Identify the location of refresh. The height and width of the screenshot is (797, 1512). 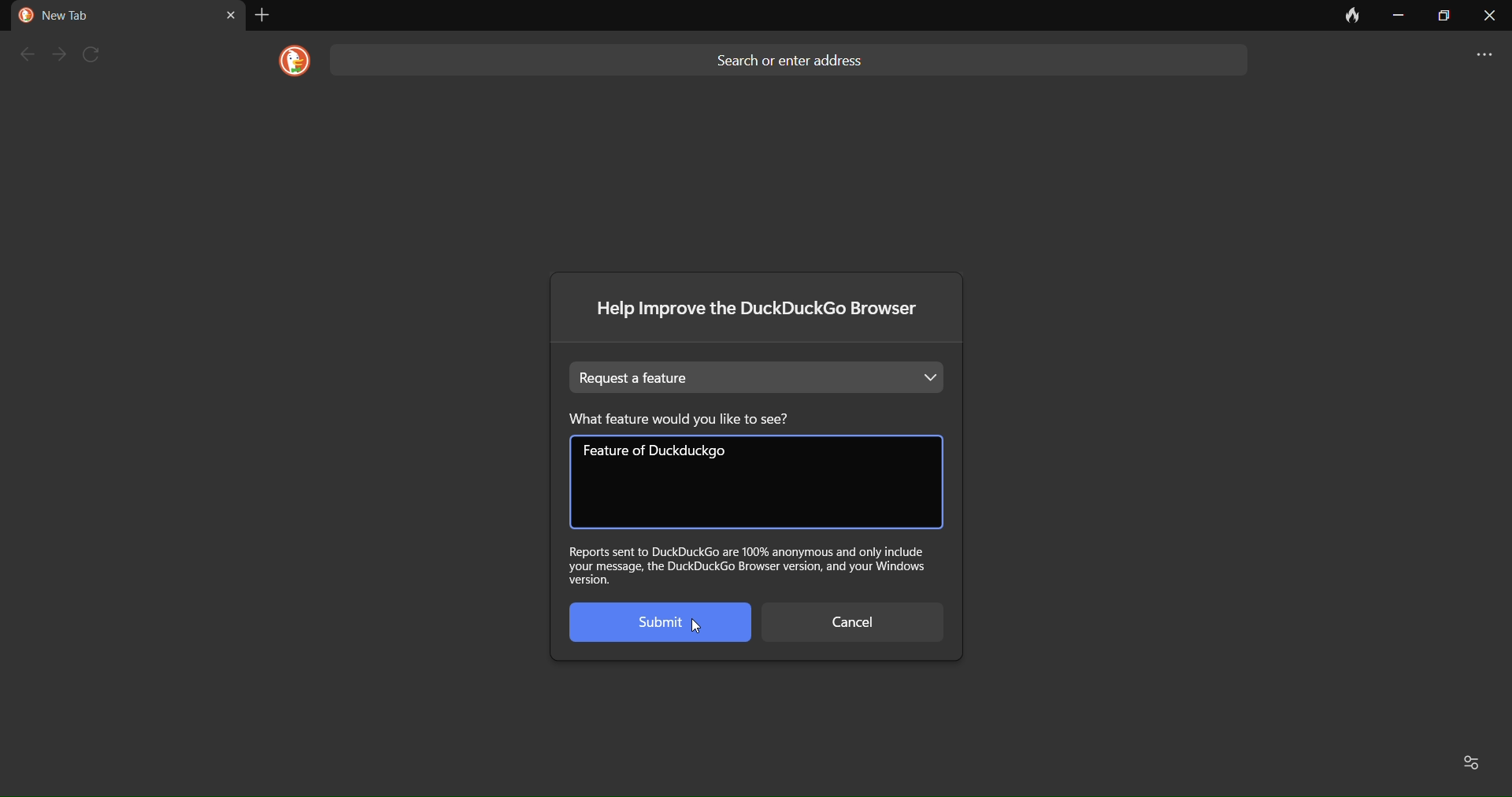
(98, 54).